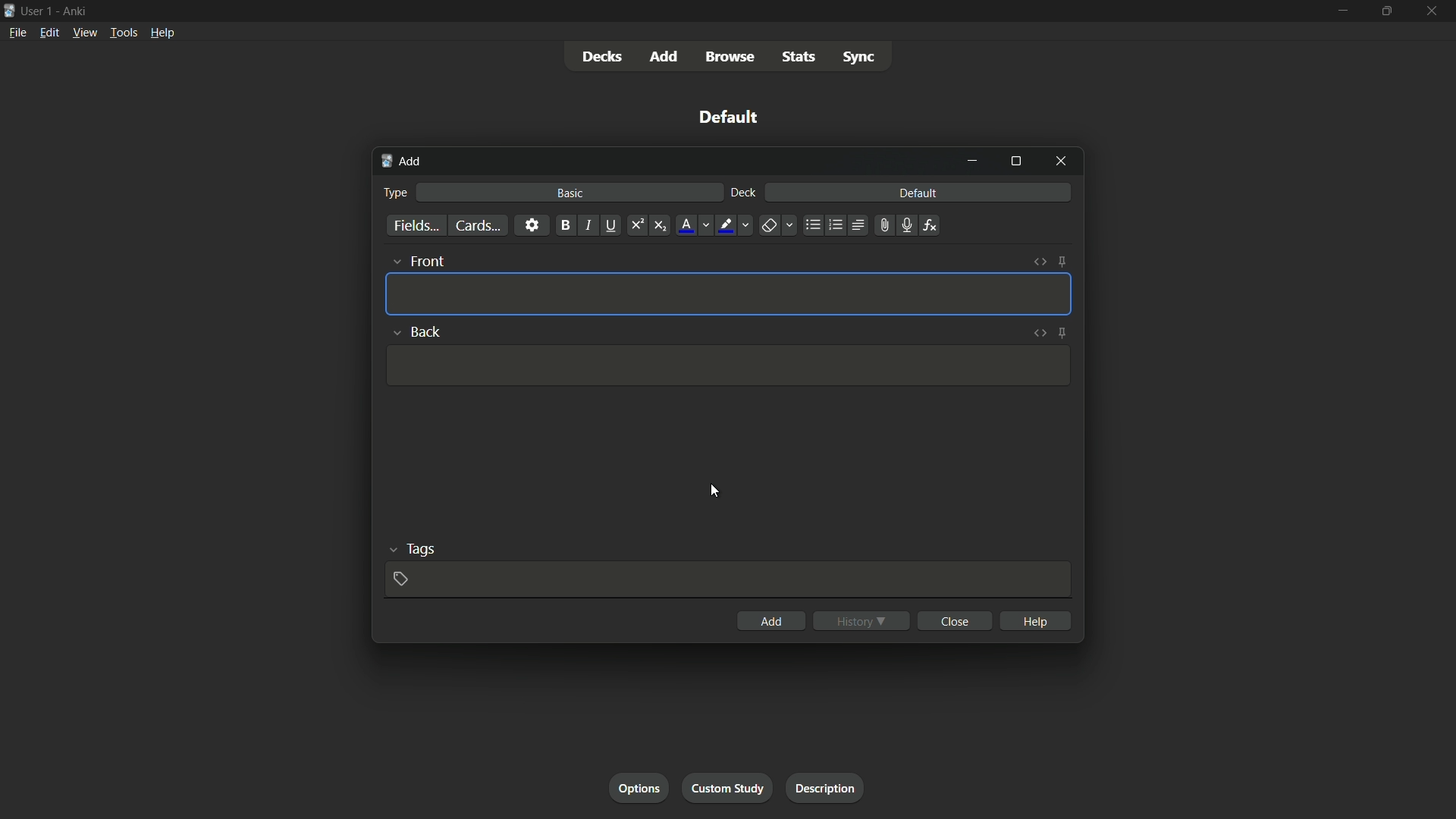  What do you see at coordinates (416, 225) in the screenshot?
I see `fields` at bounding box center [416, 225].